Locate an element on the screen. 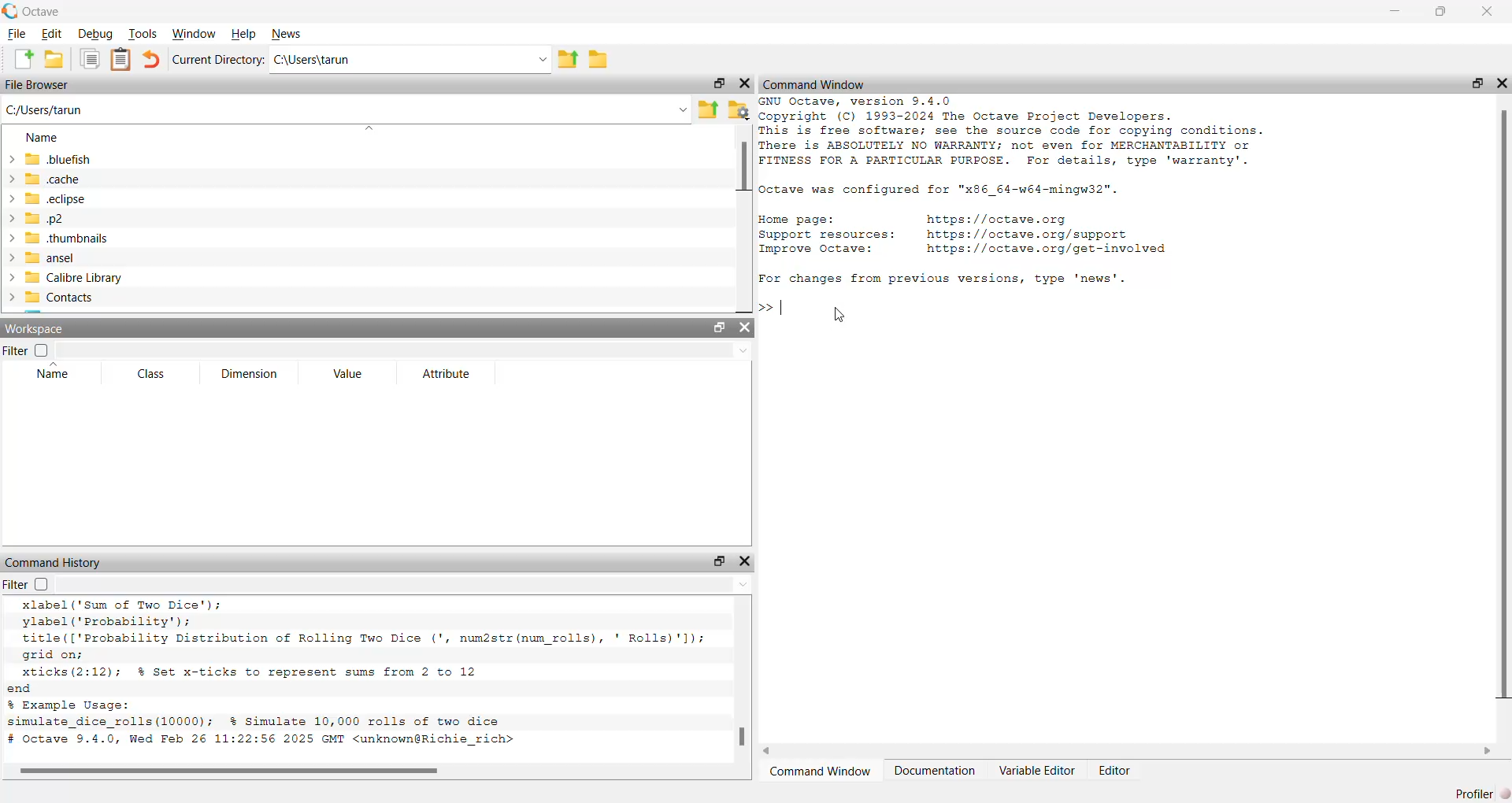  Command Window is located at coordinates (819, 773).